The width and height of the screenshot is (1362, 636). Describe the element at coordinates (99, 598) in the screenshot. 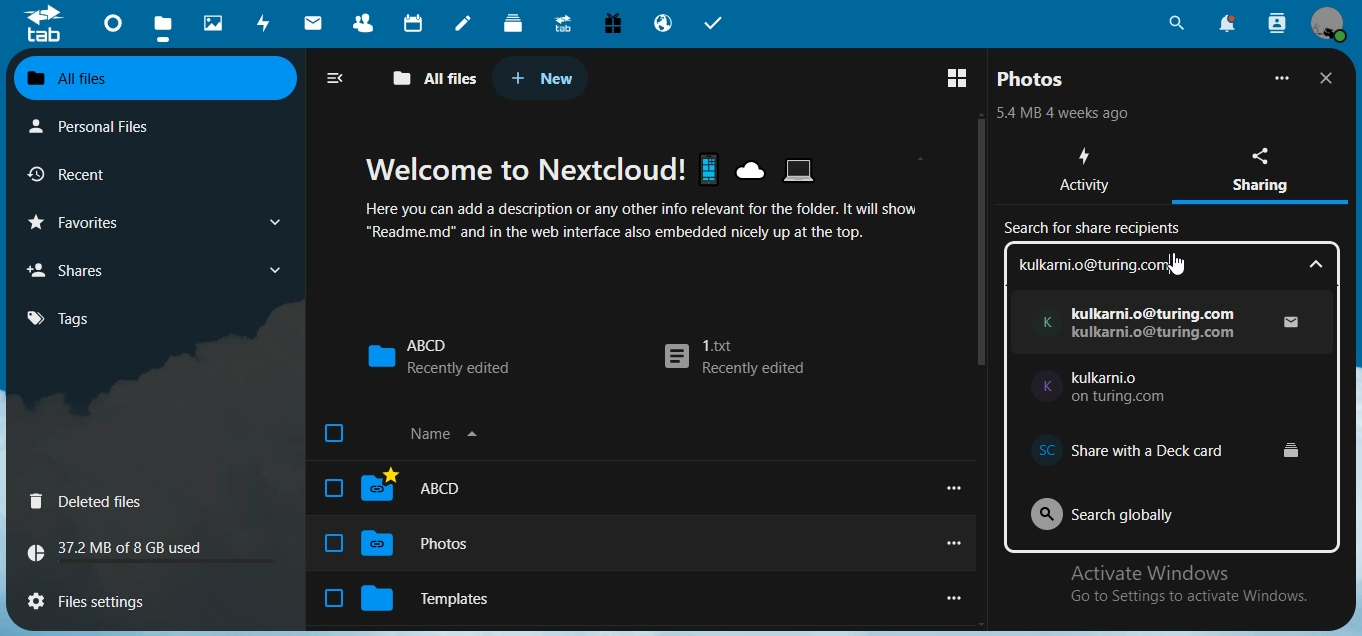

I see `files` at that location.